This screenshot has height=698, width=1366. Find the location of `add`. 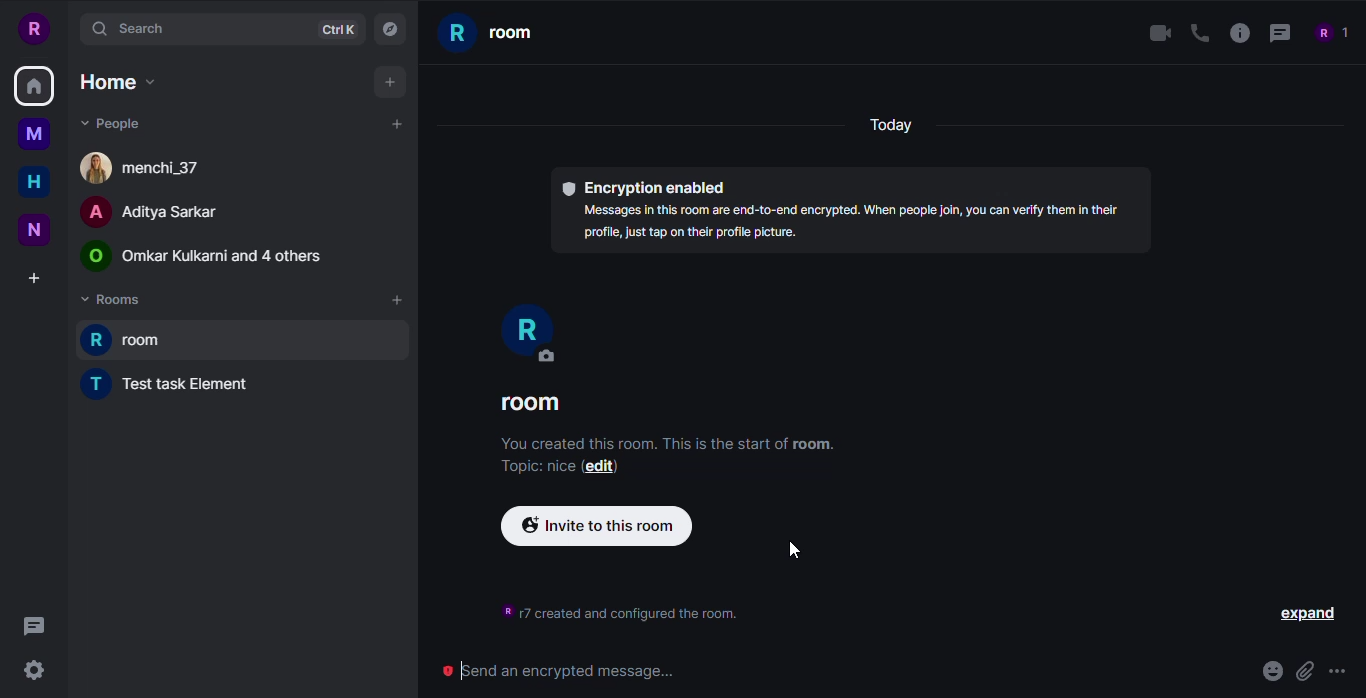

add is located at coordinates (395, 301).